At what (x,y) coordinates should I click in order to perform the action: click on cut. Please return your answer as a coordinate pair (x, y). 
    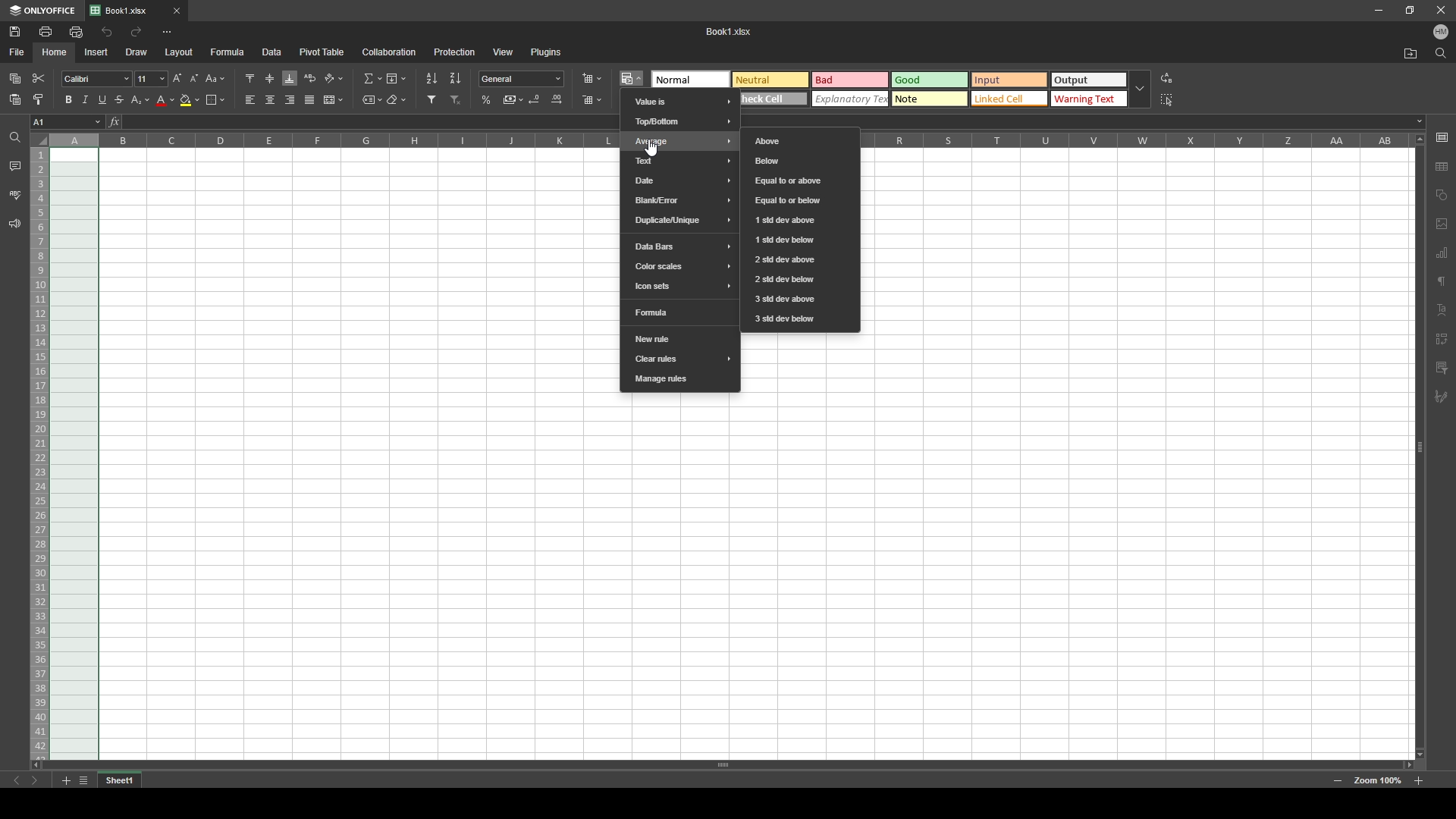
    Looking at the image, I should click on (39, 79).